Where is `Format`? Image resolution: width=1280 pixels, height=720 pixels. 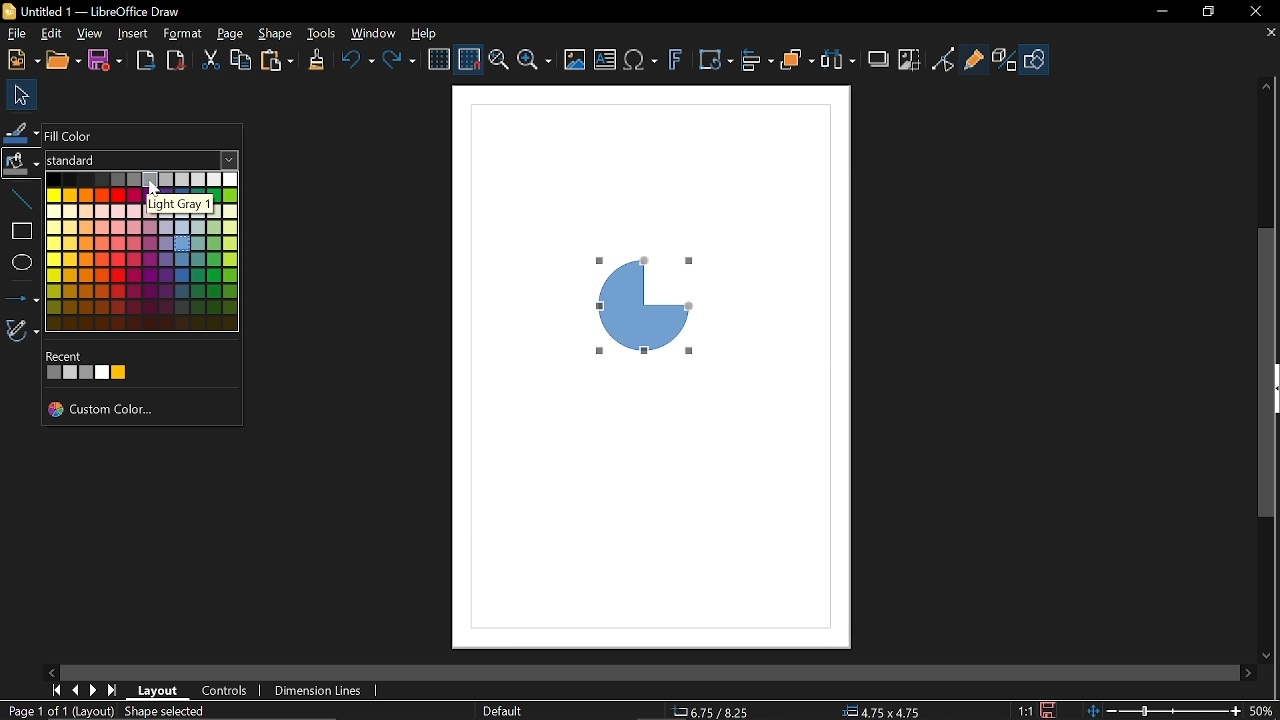
Format is located at coordinates (181, 34).